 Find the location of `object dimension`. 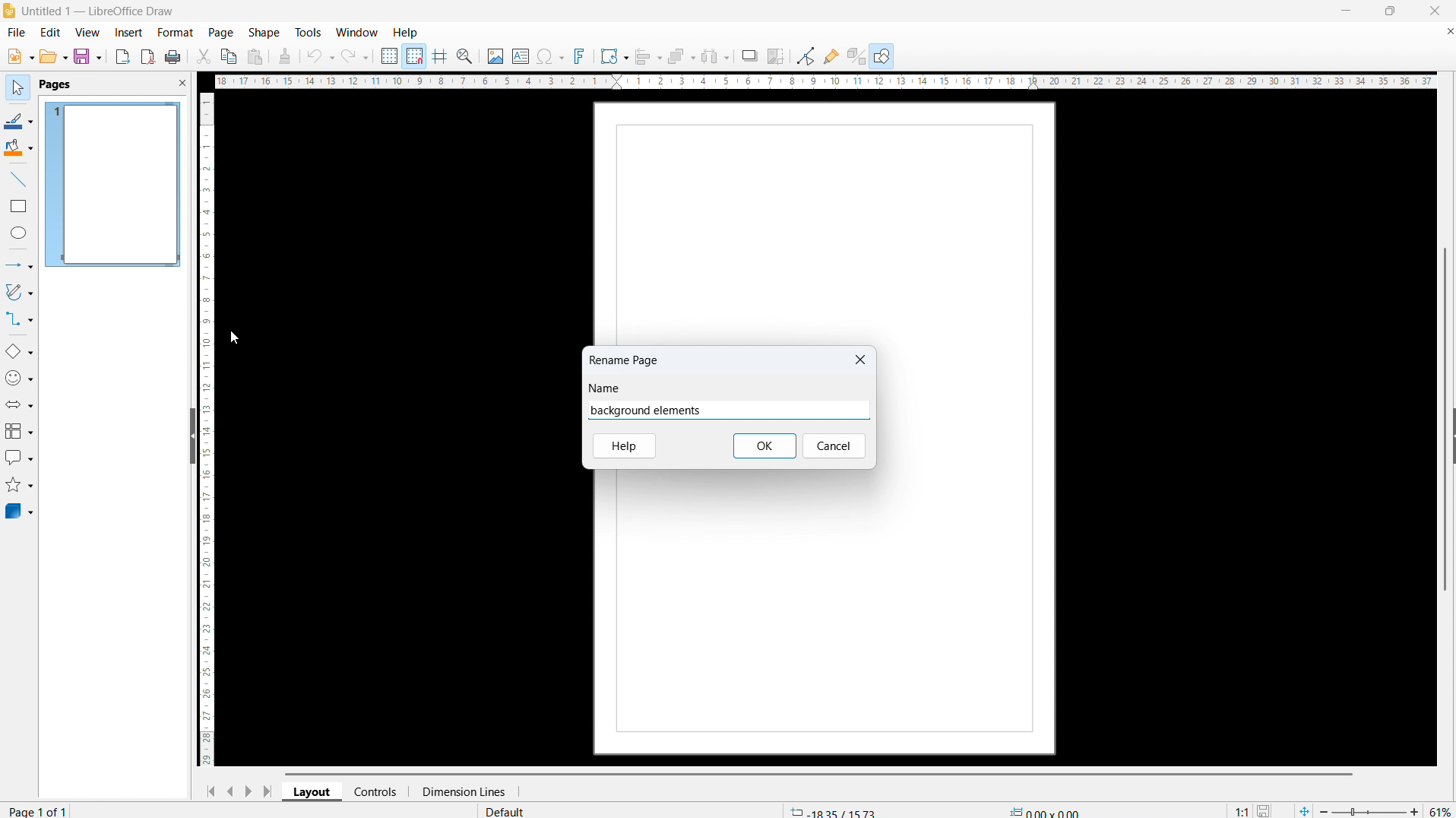

object dimension is located at coordinates (1046, 810).